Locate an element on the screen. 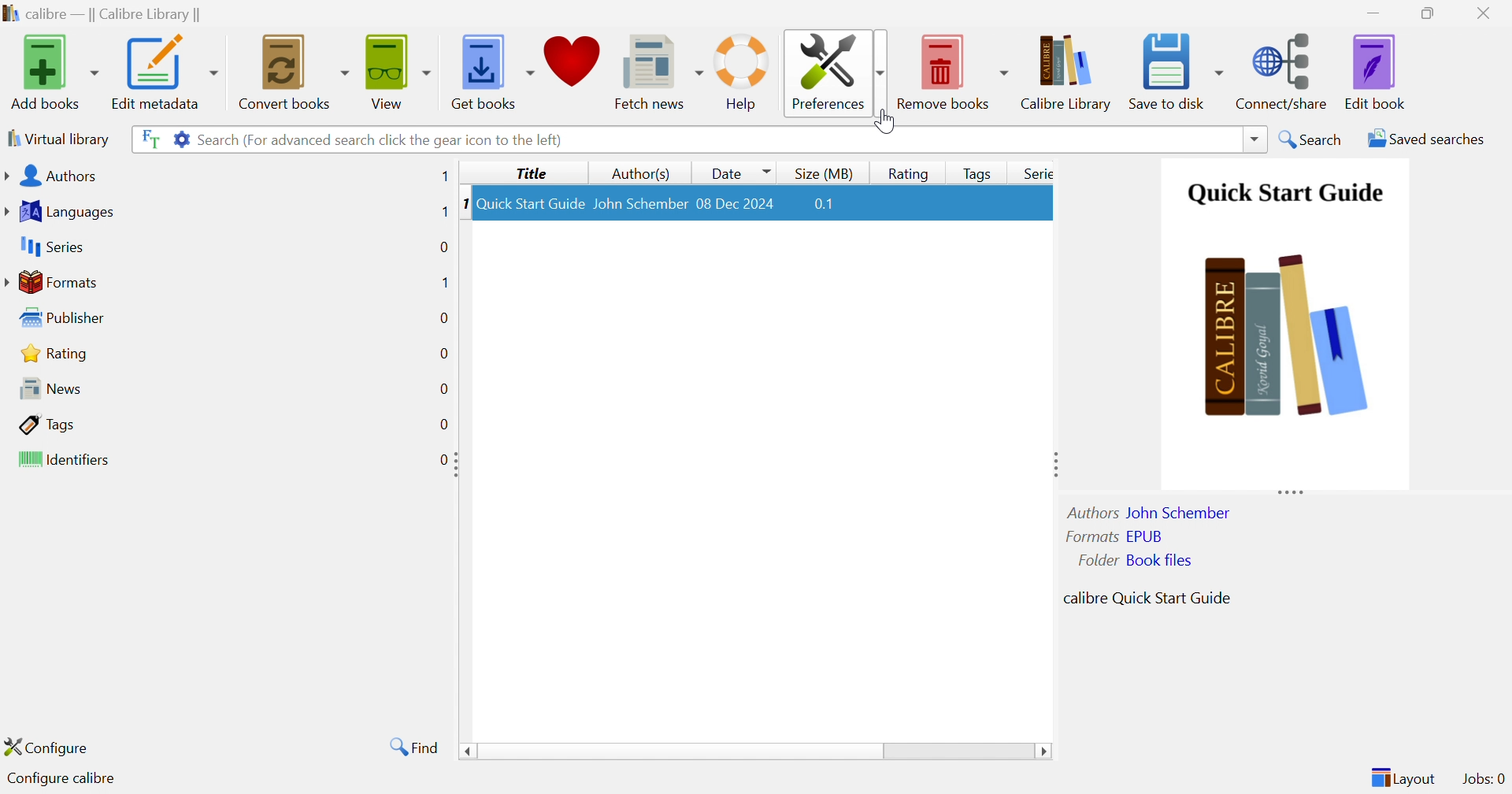  Folder Book Files is located at coordinates (1136, 560).